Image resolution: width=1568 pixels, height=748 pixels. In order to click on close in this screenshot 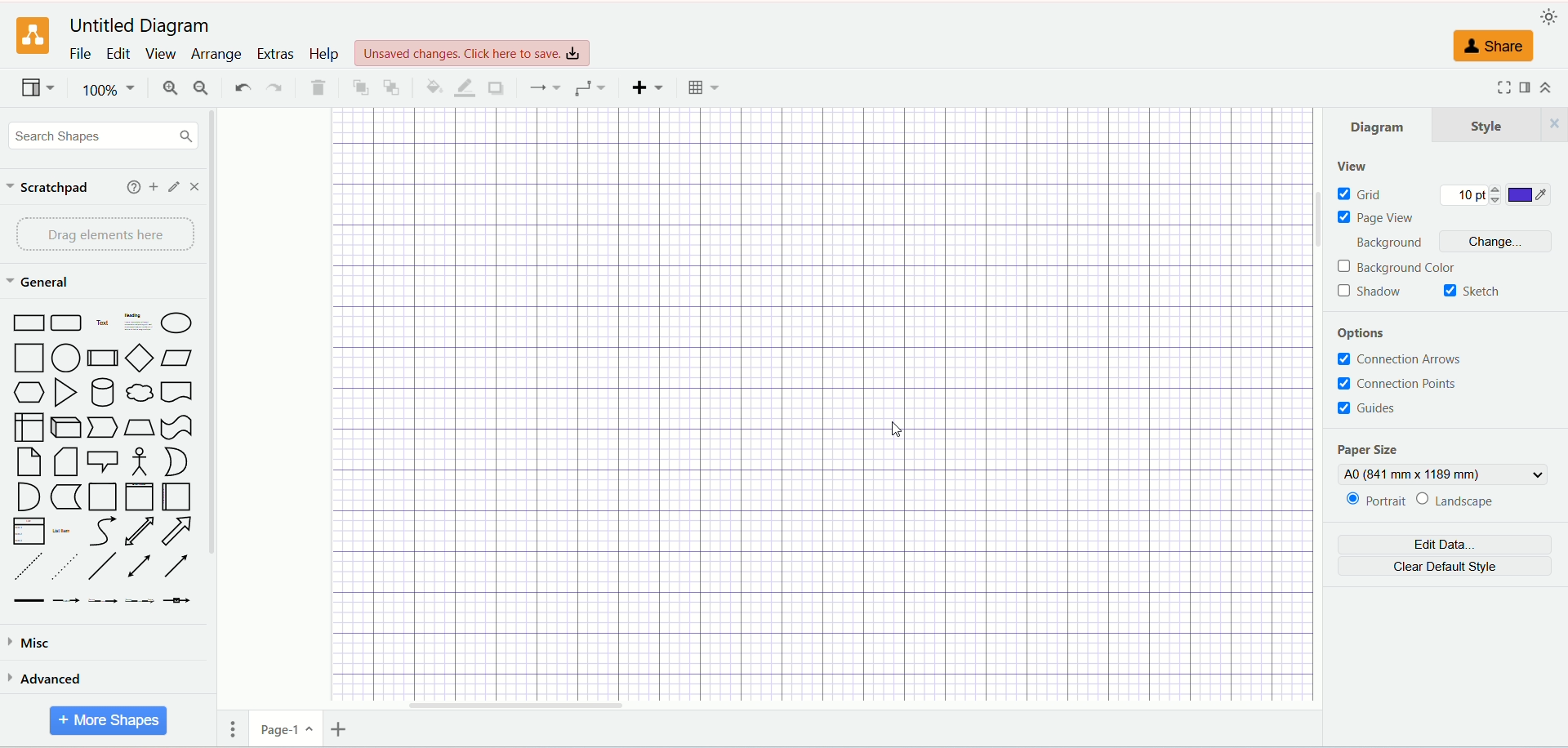, I will do `click(198, 186)`.